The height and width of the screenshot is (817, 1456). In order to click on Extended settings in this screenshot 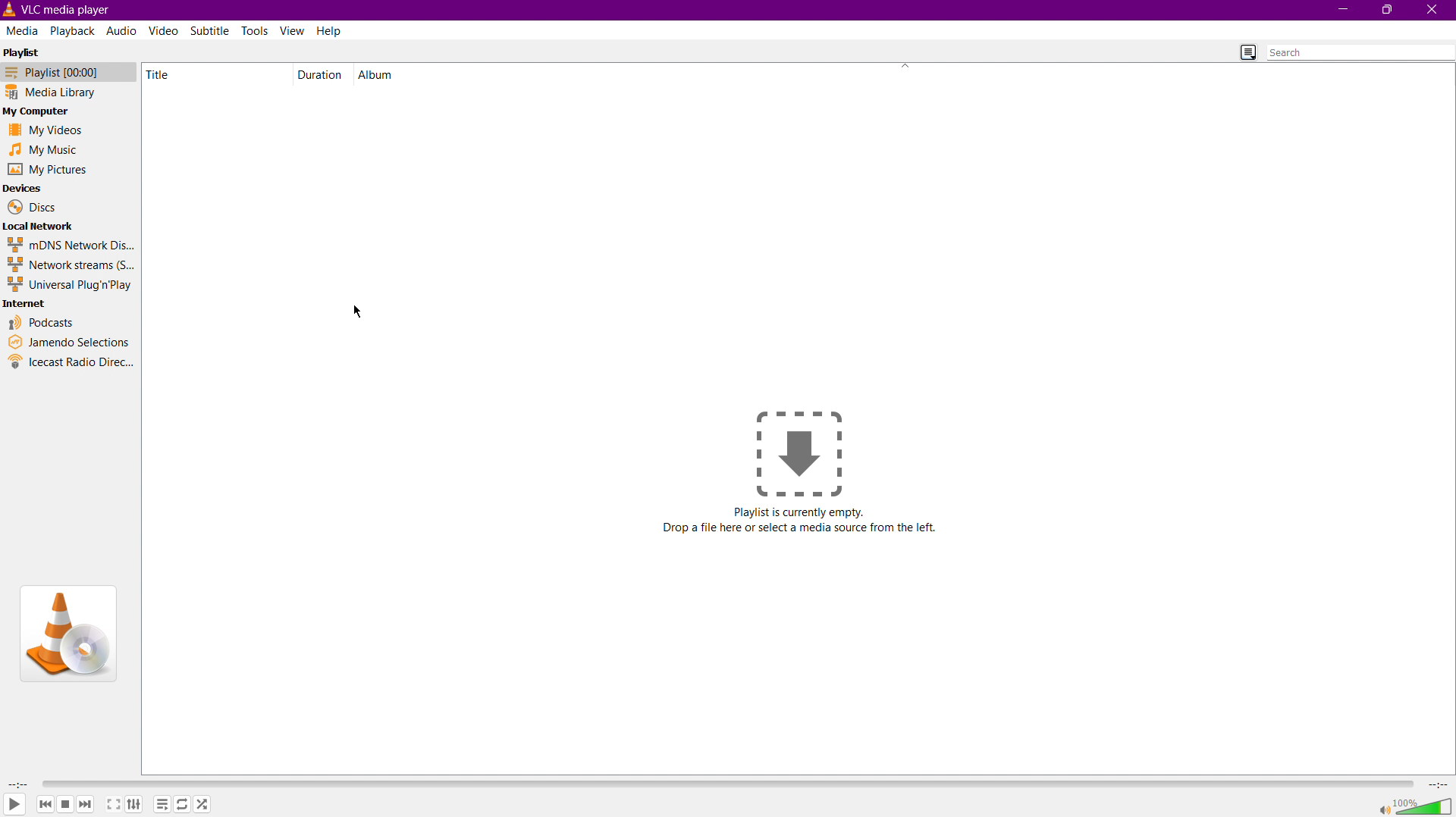, I will do `click(134, 803)`.